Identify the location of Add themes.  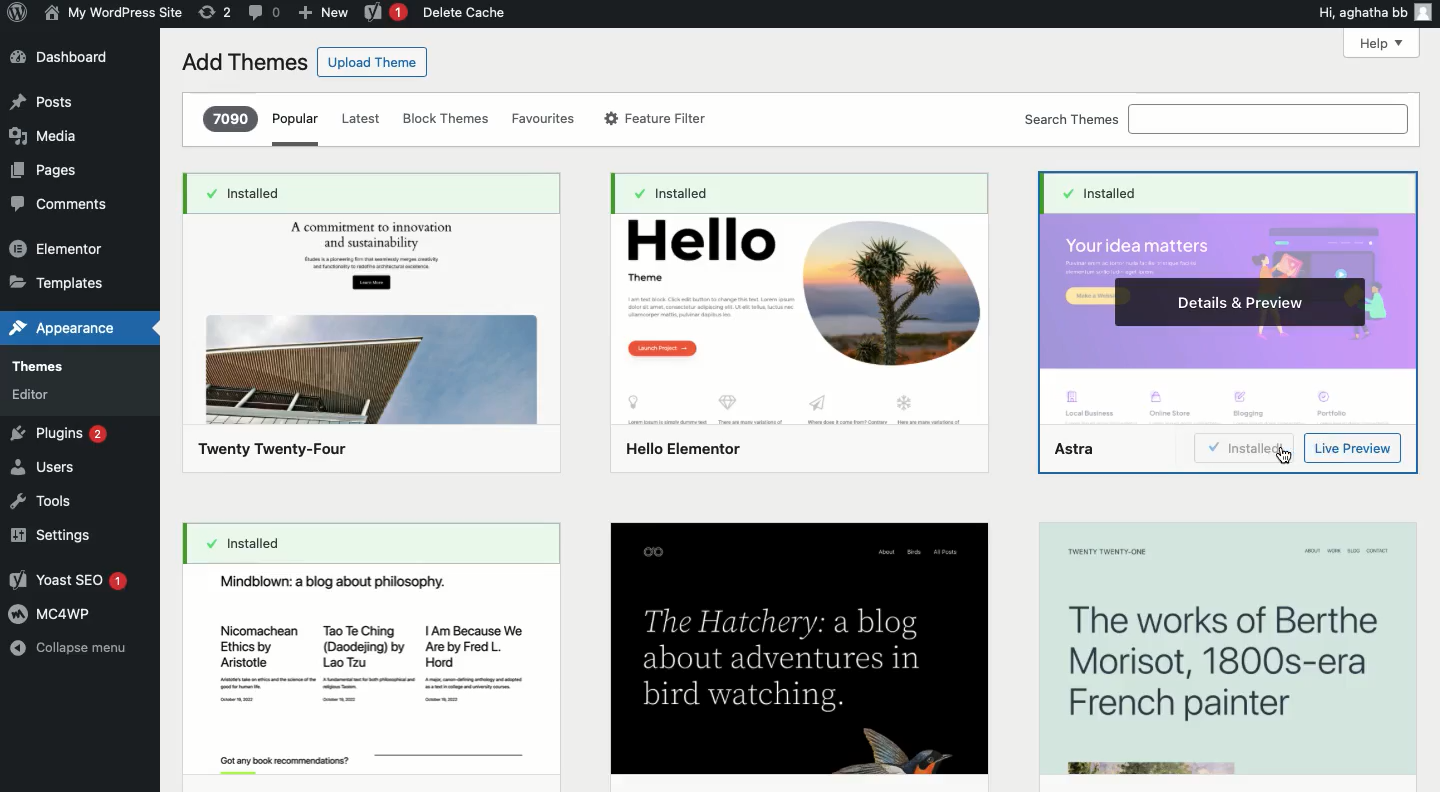
(241, 62).